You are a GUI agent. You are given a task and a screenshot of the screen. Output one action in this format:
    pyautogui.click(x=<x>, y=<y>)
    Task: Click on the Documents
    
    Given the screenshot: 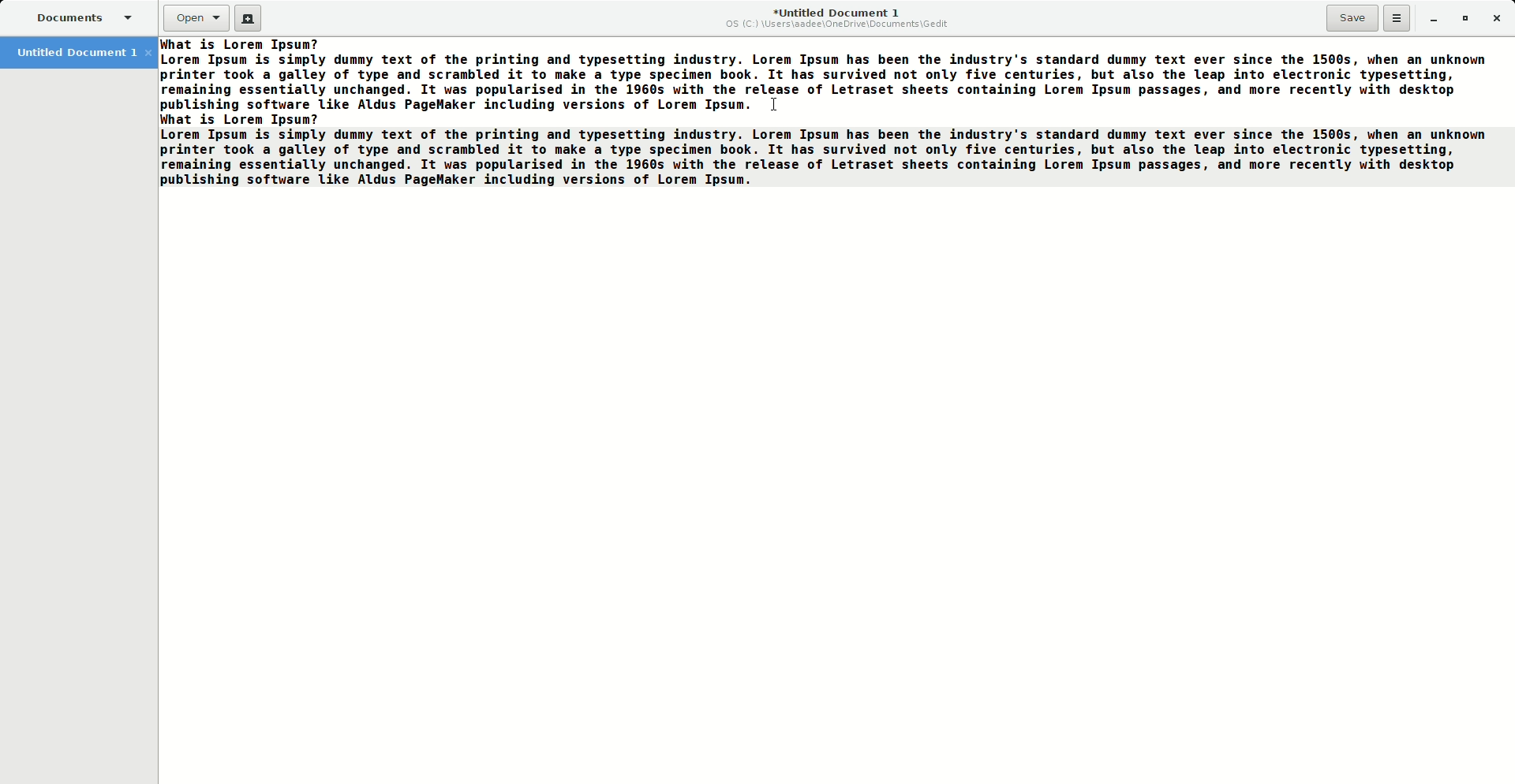 What is the action you would take?
    pyautogui.click(x=82, y=17)
    